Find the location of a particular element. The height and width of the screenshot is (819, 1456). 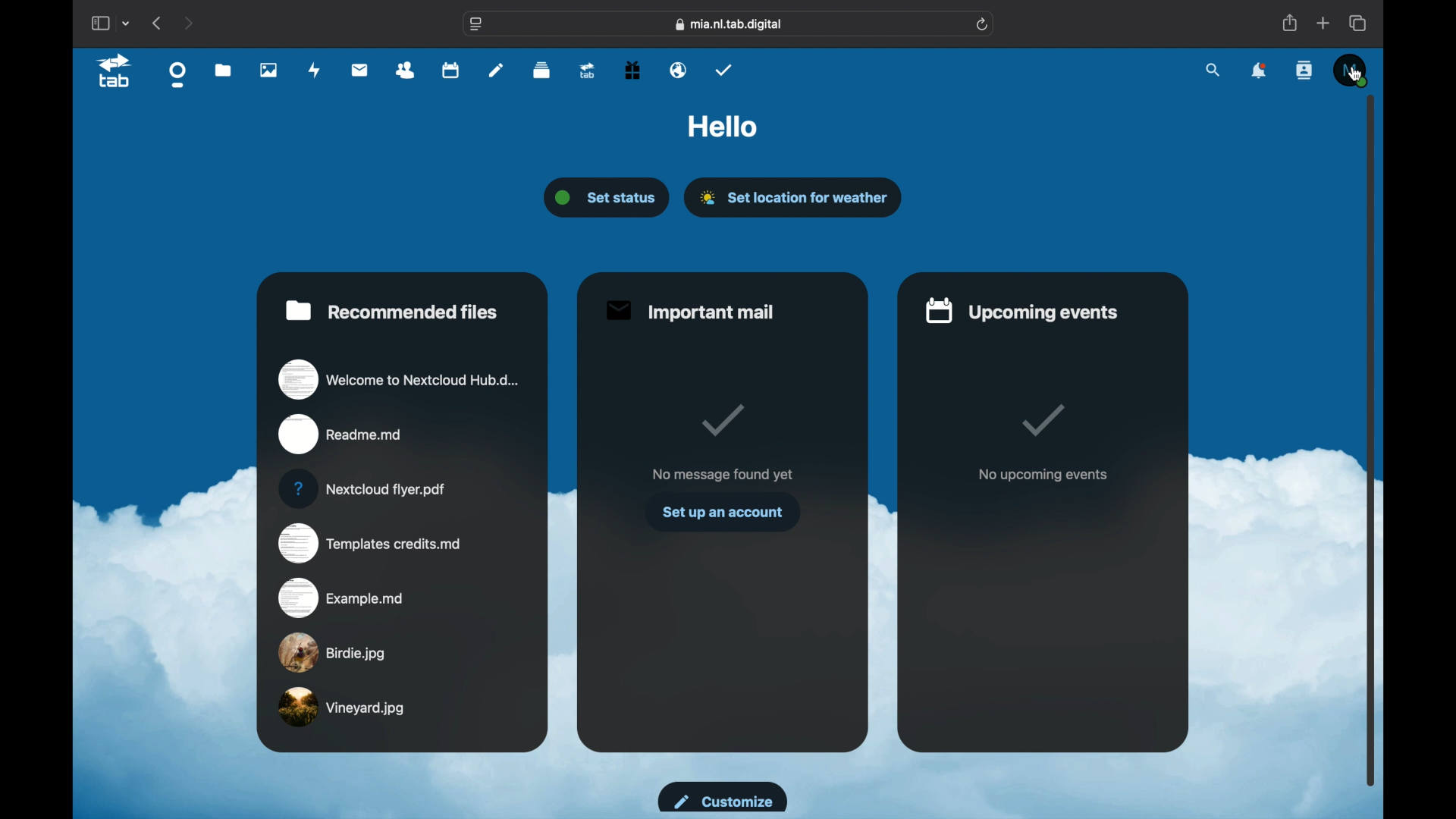

search is located at coordinates (1214, 69).